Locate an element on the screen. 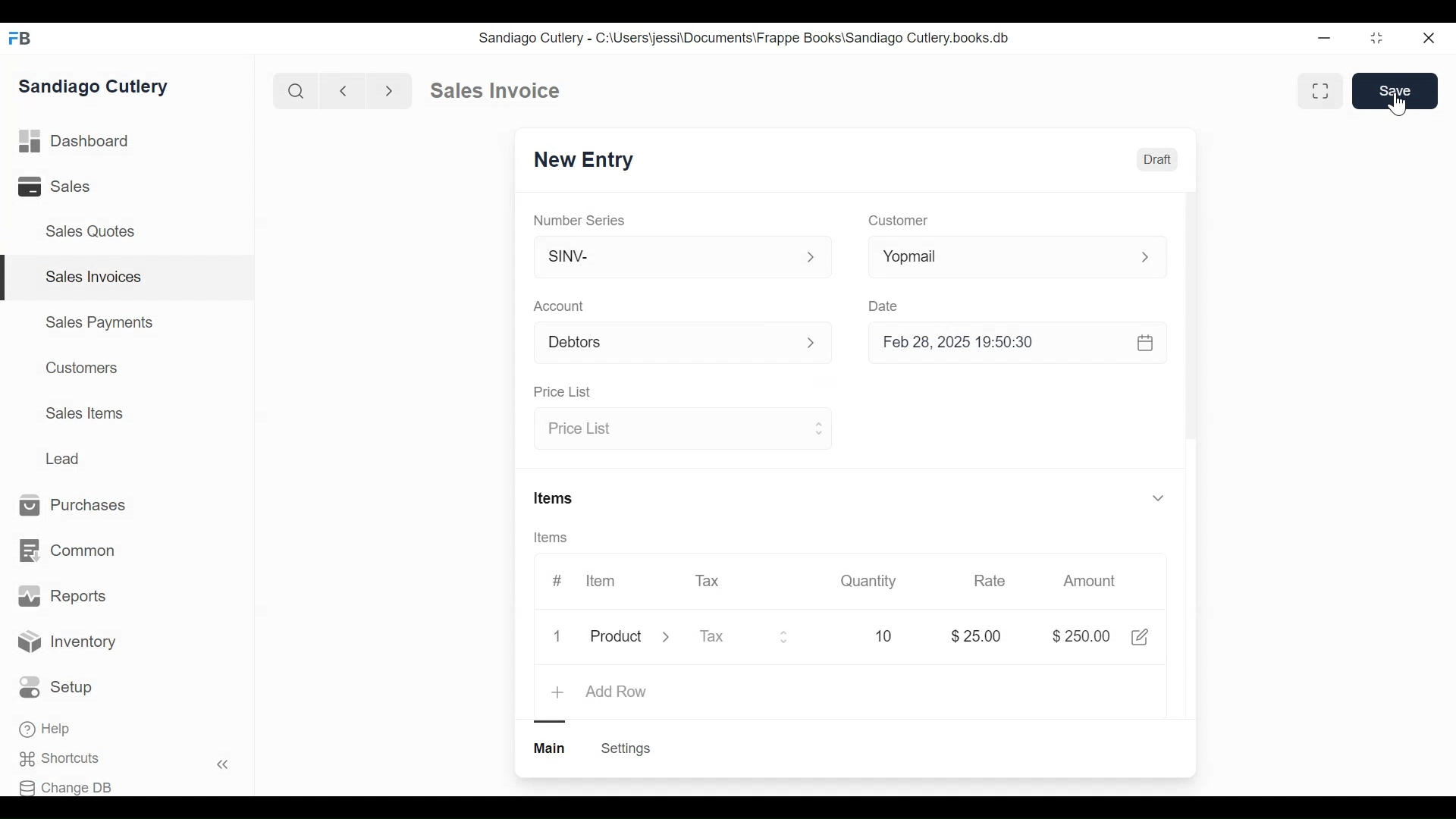  Customer is located at coordinates (896, 221).